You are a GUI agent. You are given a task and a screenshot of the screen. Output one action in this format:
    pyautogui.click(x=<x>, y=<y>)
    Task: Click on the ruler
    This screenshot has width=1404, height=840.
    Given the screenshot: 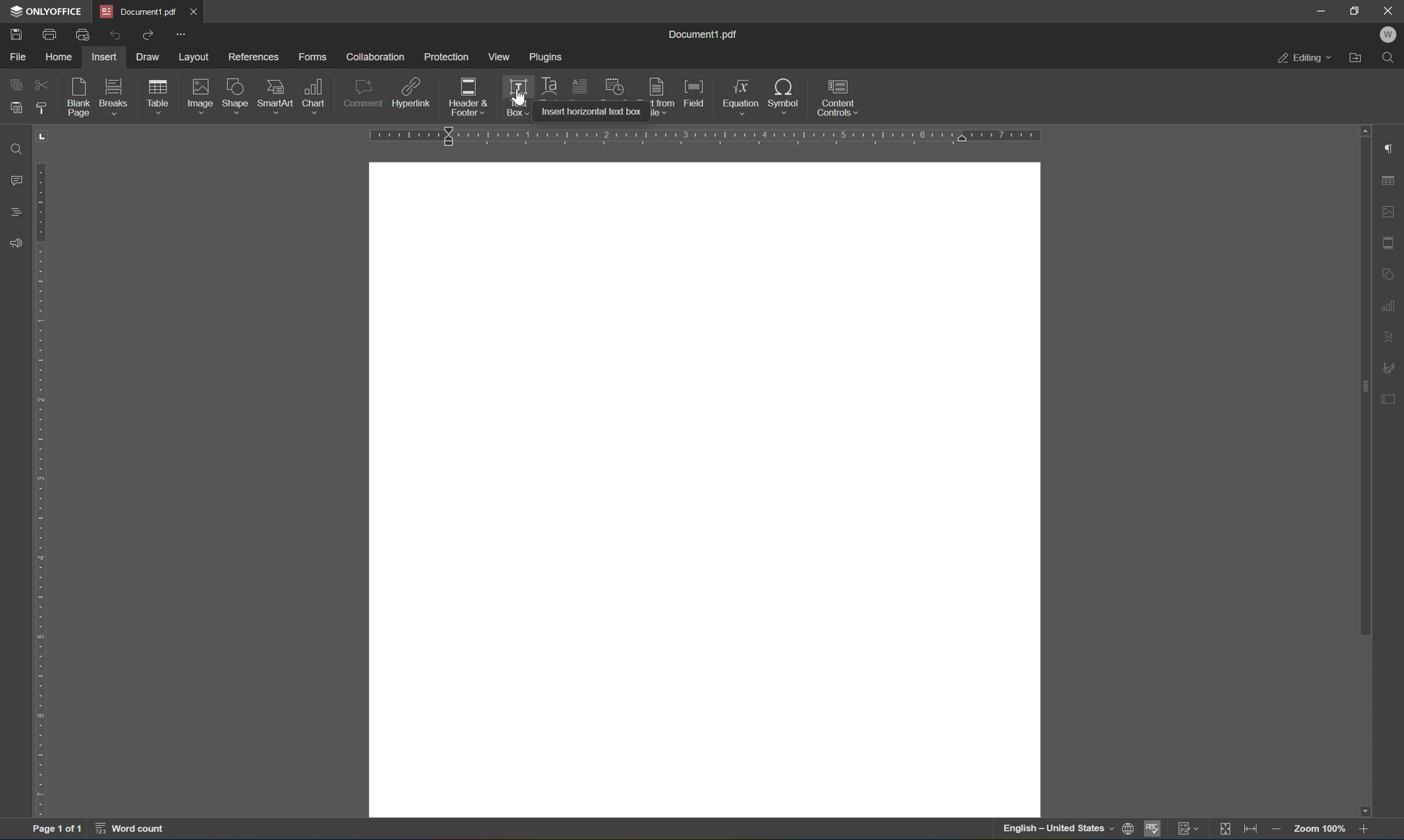 What is the action you would take?
    pyautogui.click(x=41, y=470)
    